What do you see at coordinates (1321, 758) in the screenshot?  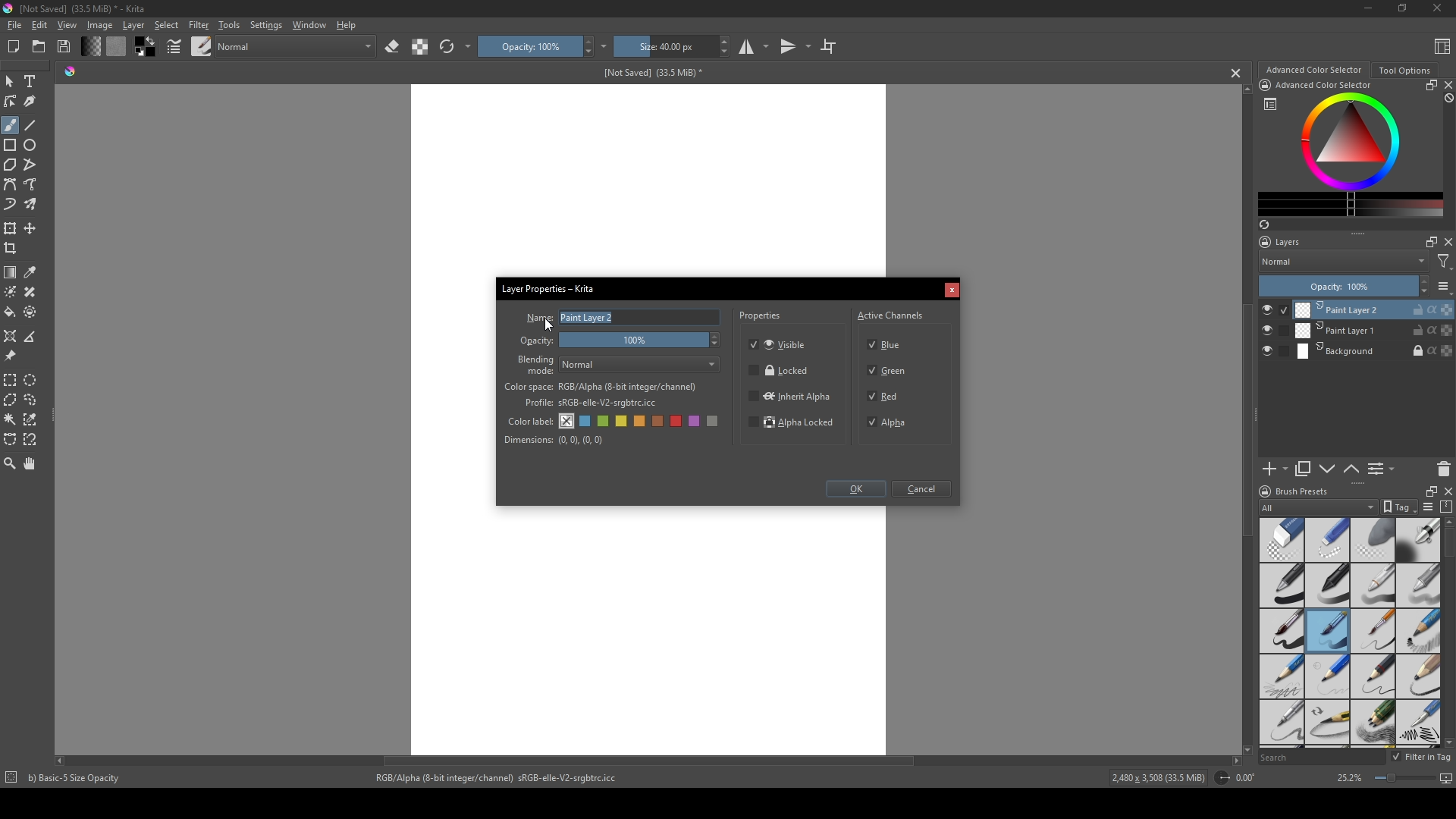 I see `Search` at bounding box center [1321, 758].